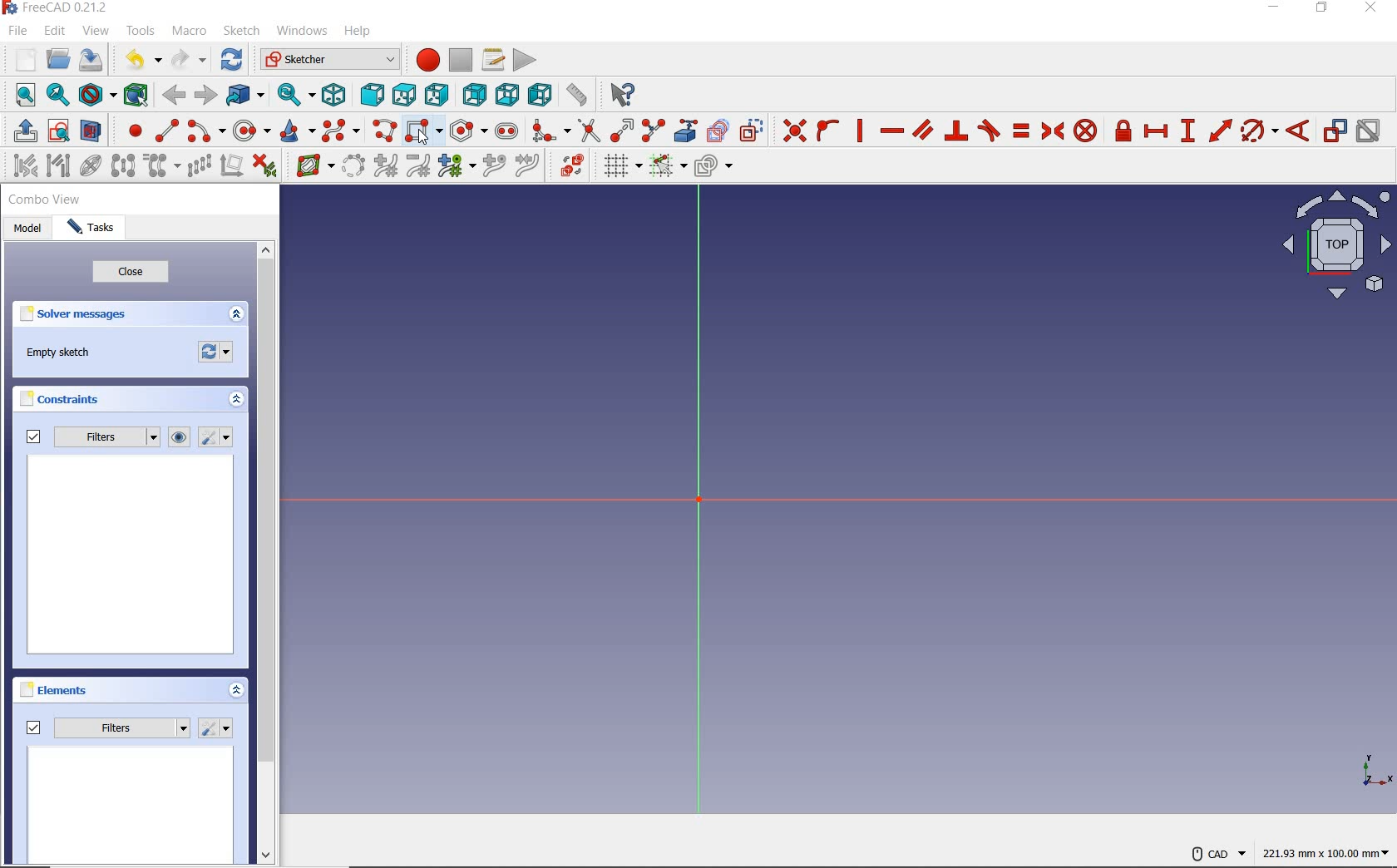 This screenshot has width=1397, height=868. Describe the element at coordinates (122, 165) in the screenshot. I see `symmetry` at that location.